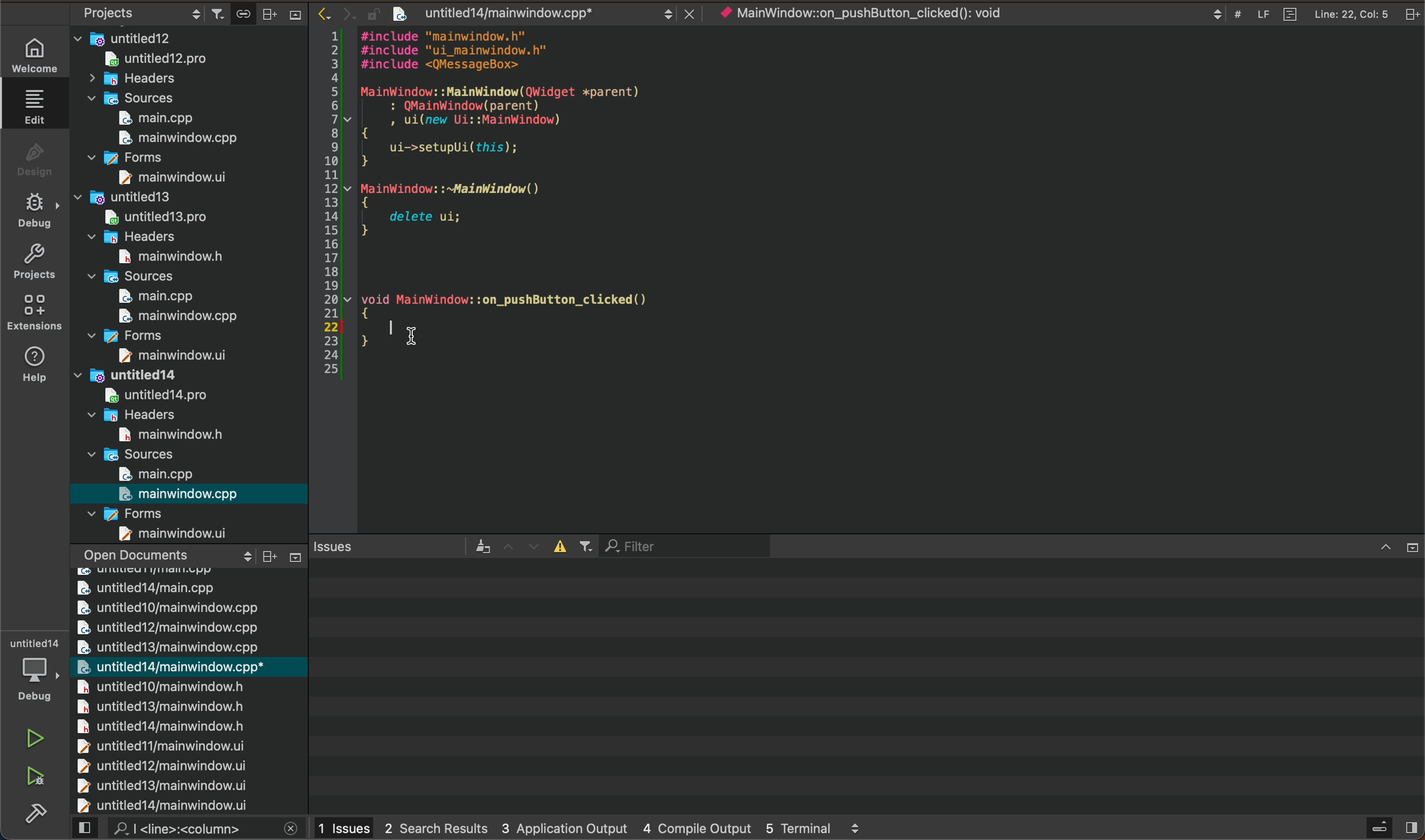 This screenshot has height=840, width=1425. What do you see at coordinates (866, 684) in the screenshot?
I see `terminal` at bounding box center [866, 684].